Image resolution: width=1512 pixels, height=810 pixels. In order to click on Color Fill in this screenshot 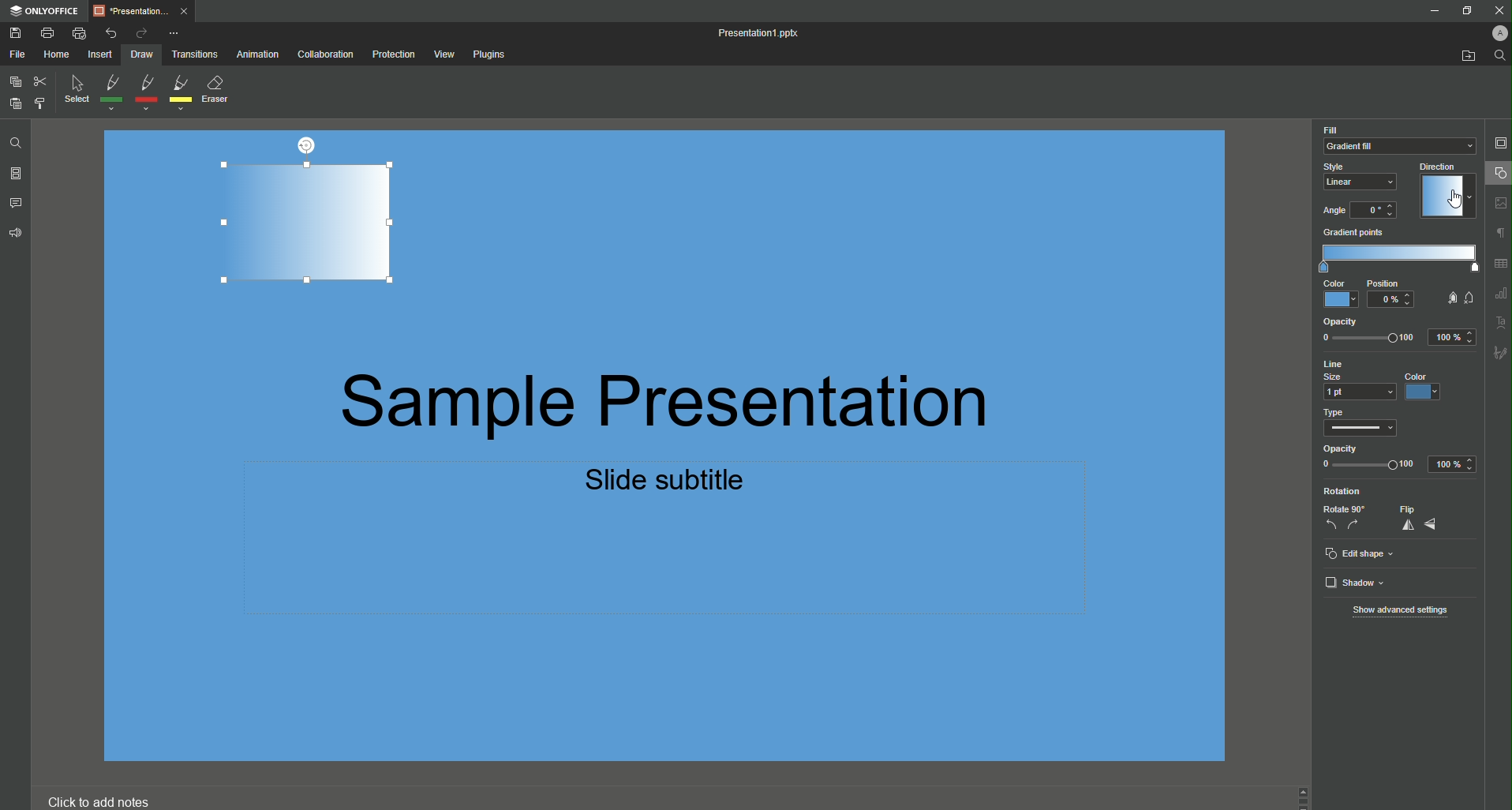, I will do `click(1400, 139)`.